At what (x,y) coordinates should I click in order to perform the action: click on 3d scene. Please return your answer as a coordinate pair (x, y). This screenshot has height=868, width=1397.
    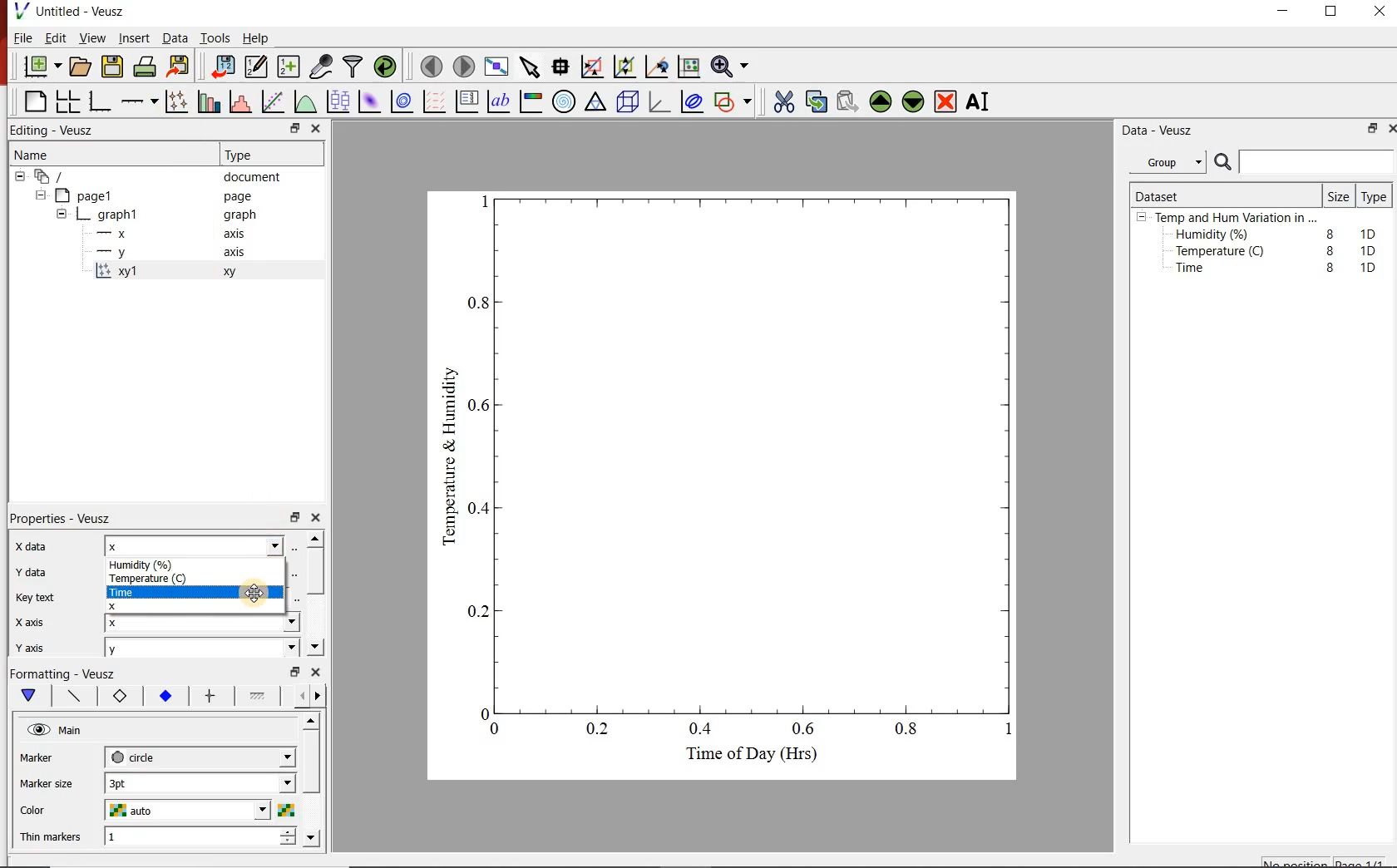
    Looking at the image, I should click on (629, 104).